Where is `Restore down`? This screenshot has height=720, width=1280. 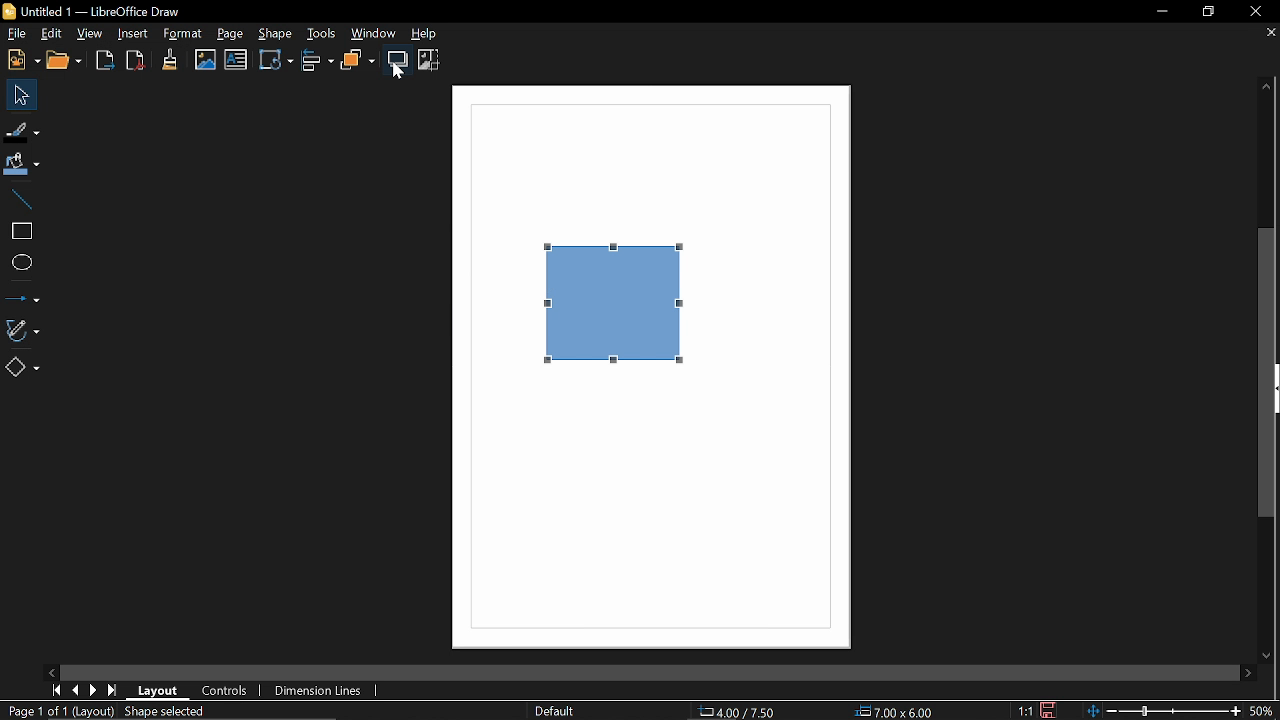 Restore down is located at coordinates (1210, 12).